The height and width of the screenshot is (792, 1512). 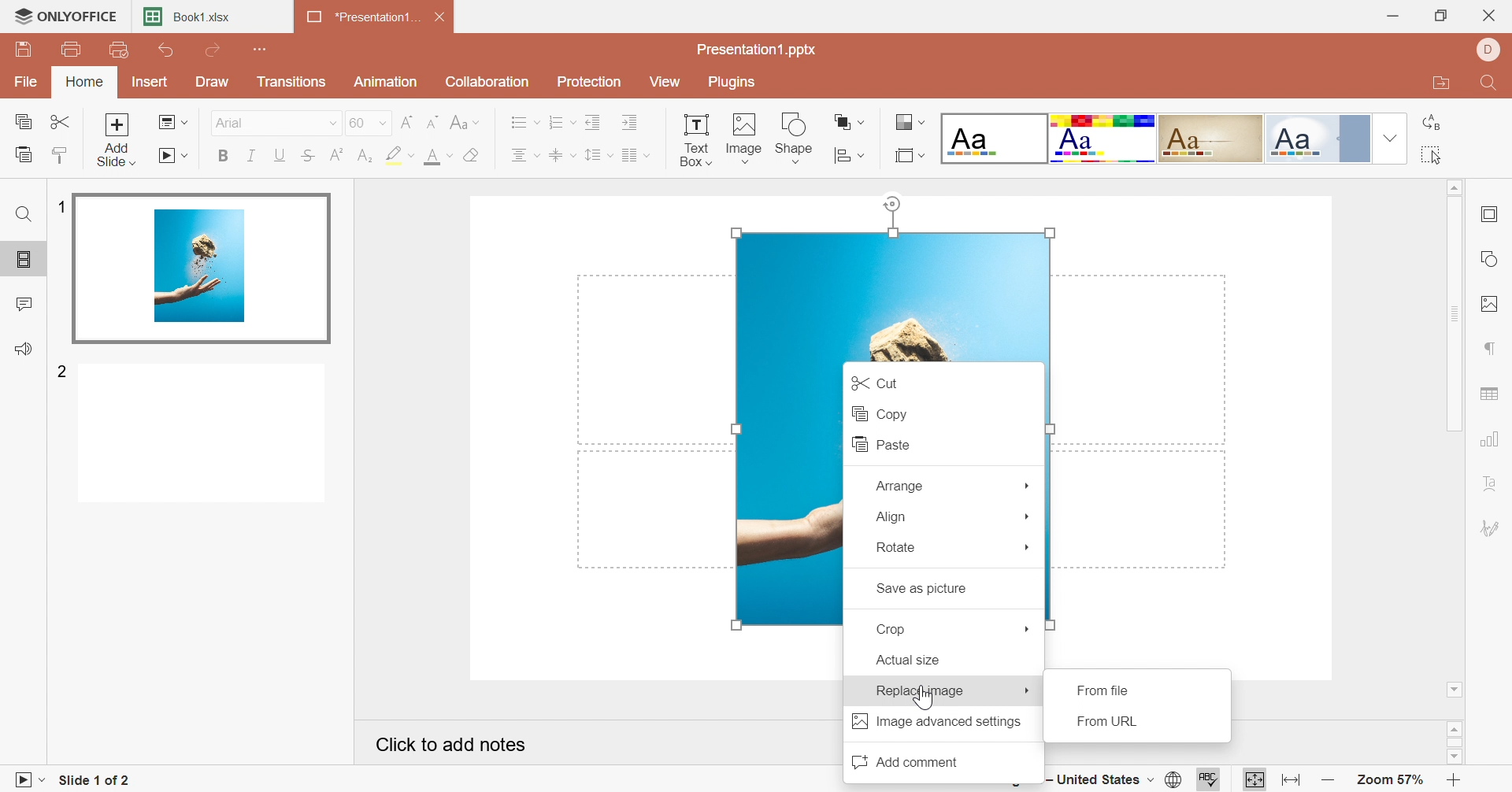 I want to click on Start slideshow, so click(x=26, y=780).